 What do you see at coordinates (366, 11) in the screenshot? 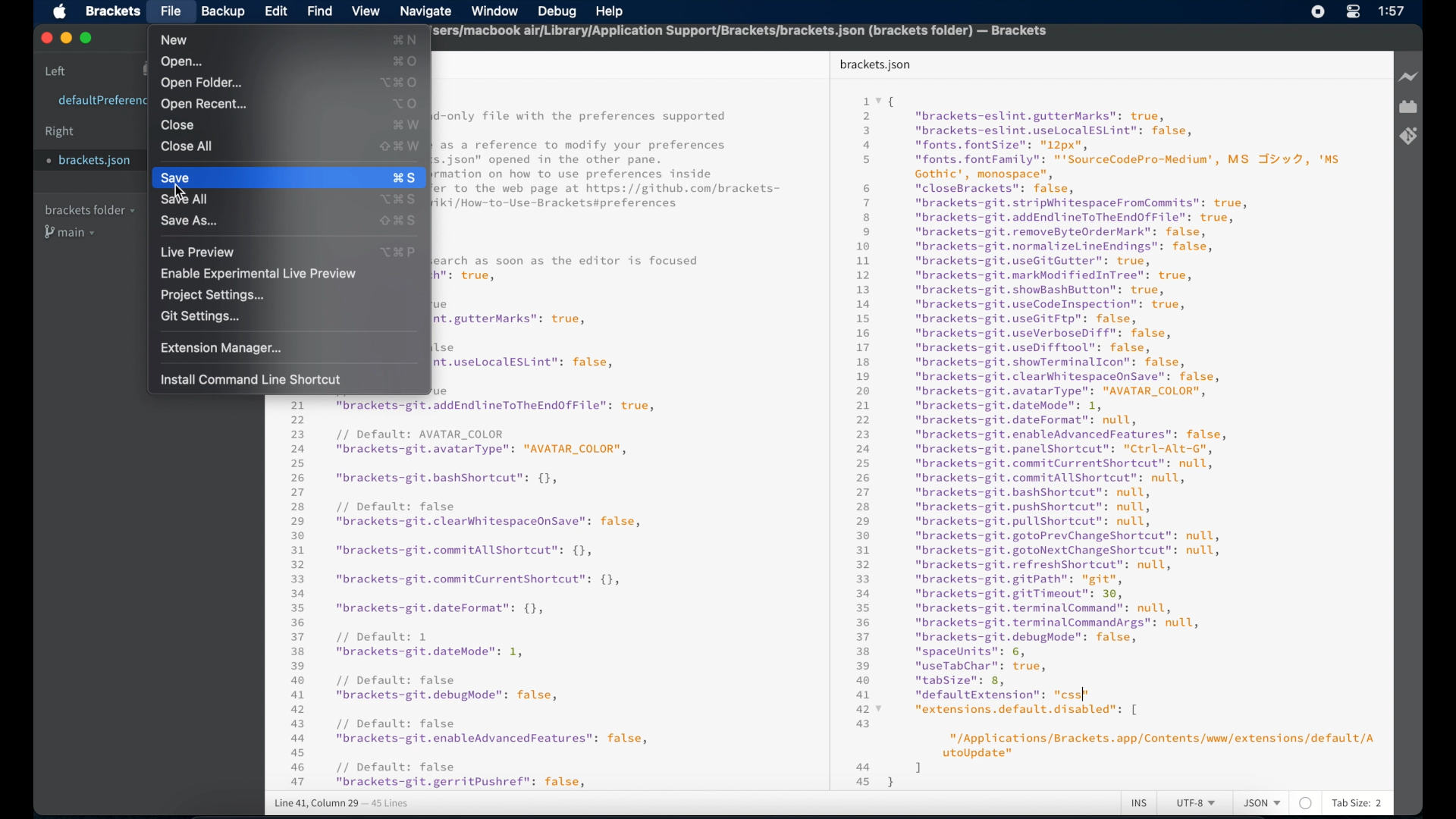
I see `view` at bounding box center [366, 11].